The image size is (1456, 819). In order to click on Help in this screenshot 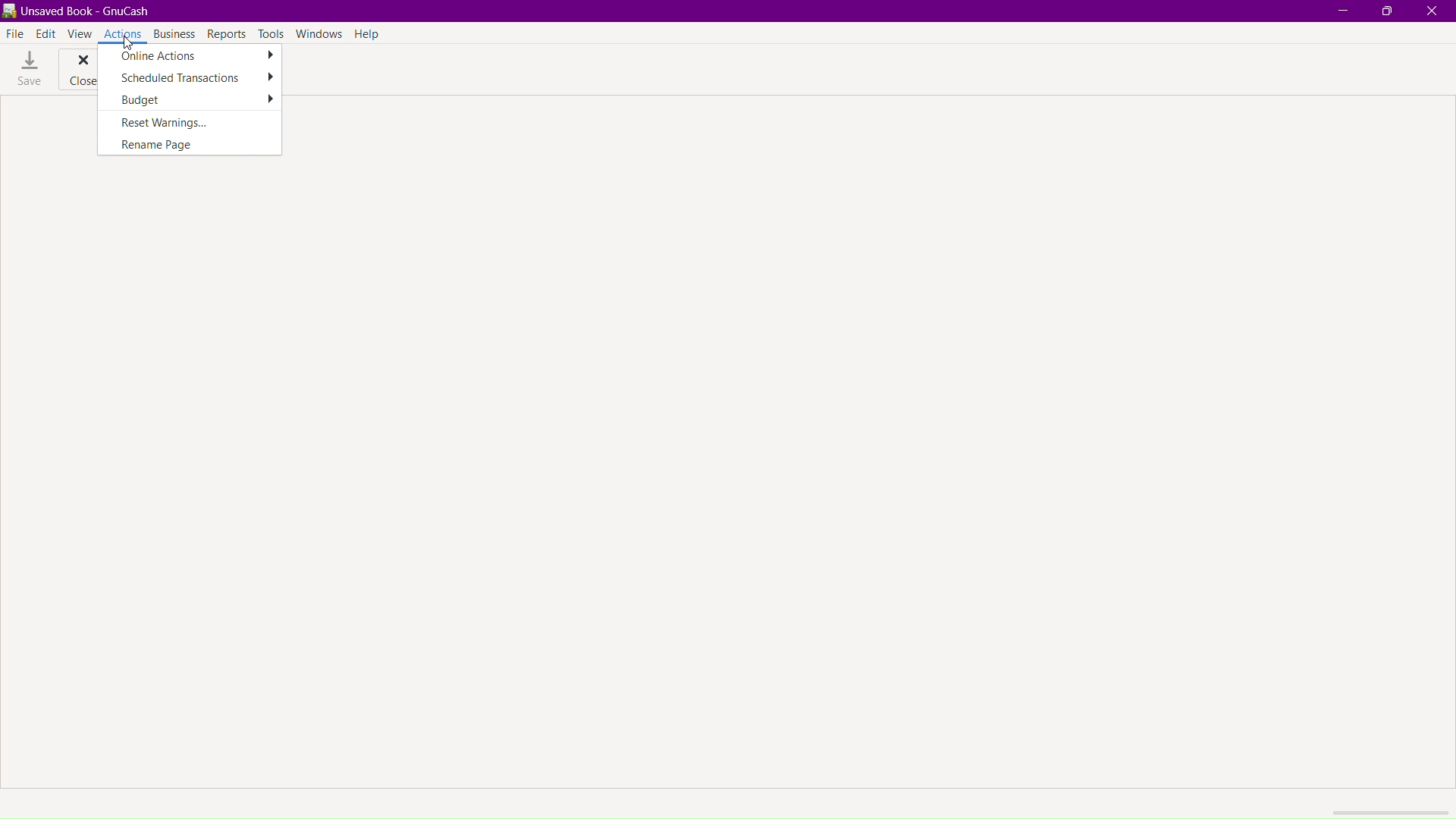, I will do `click(370, 32)`.